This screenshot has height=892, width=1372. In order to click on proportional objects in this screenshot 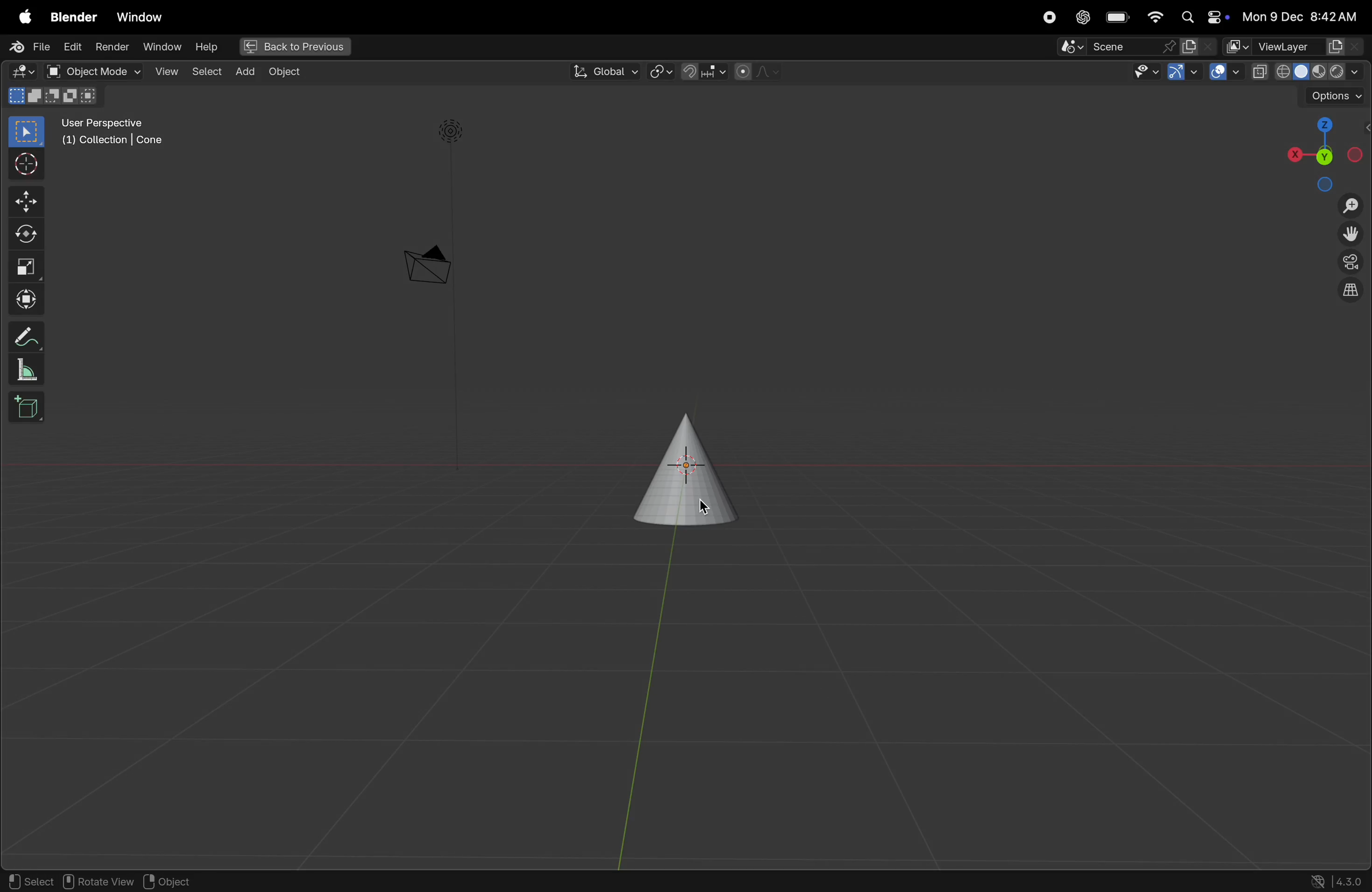, I will do `click(760, 71)`.